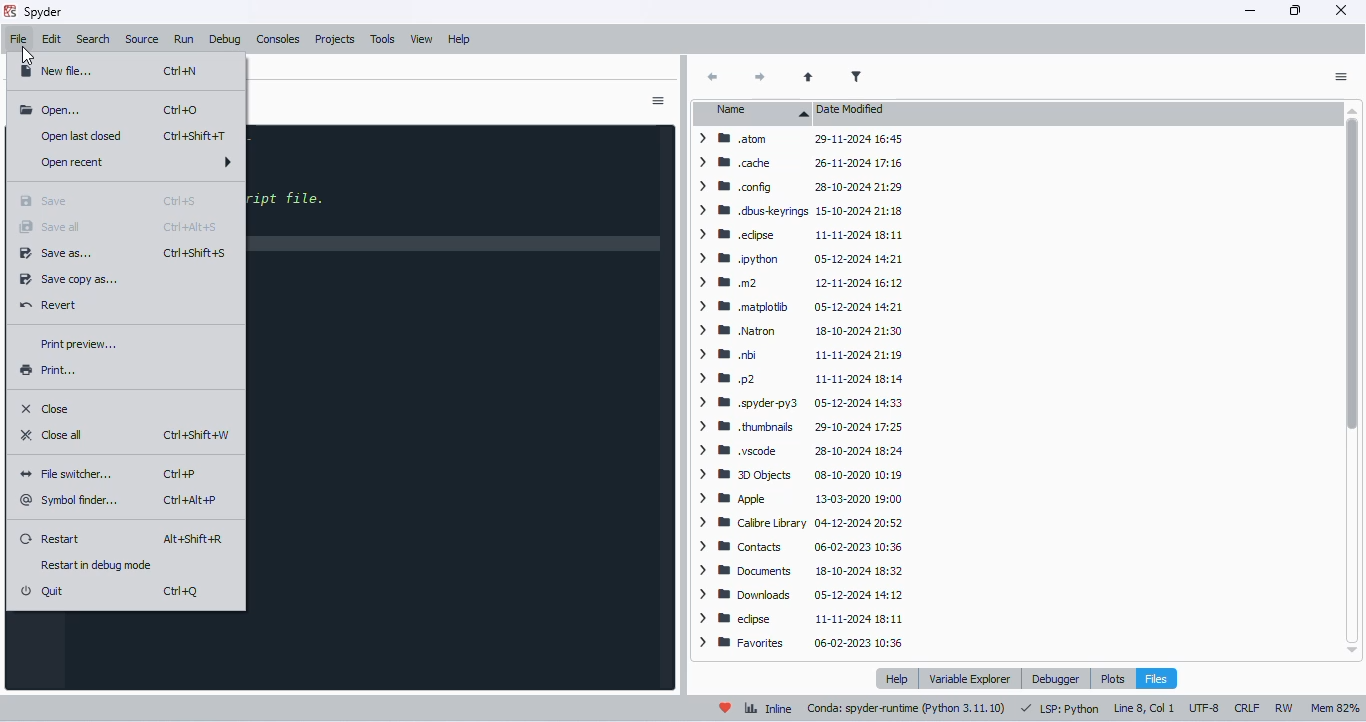  Describe the element at coordinates (51, 539) in the screenshot. I see `restart` at that location.